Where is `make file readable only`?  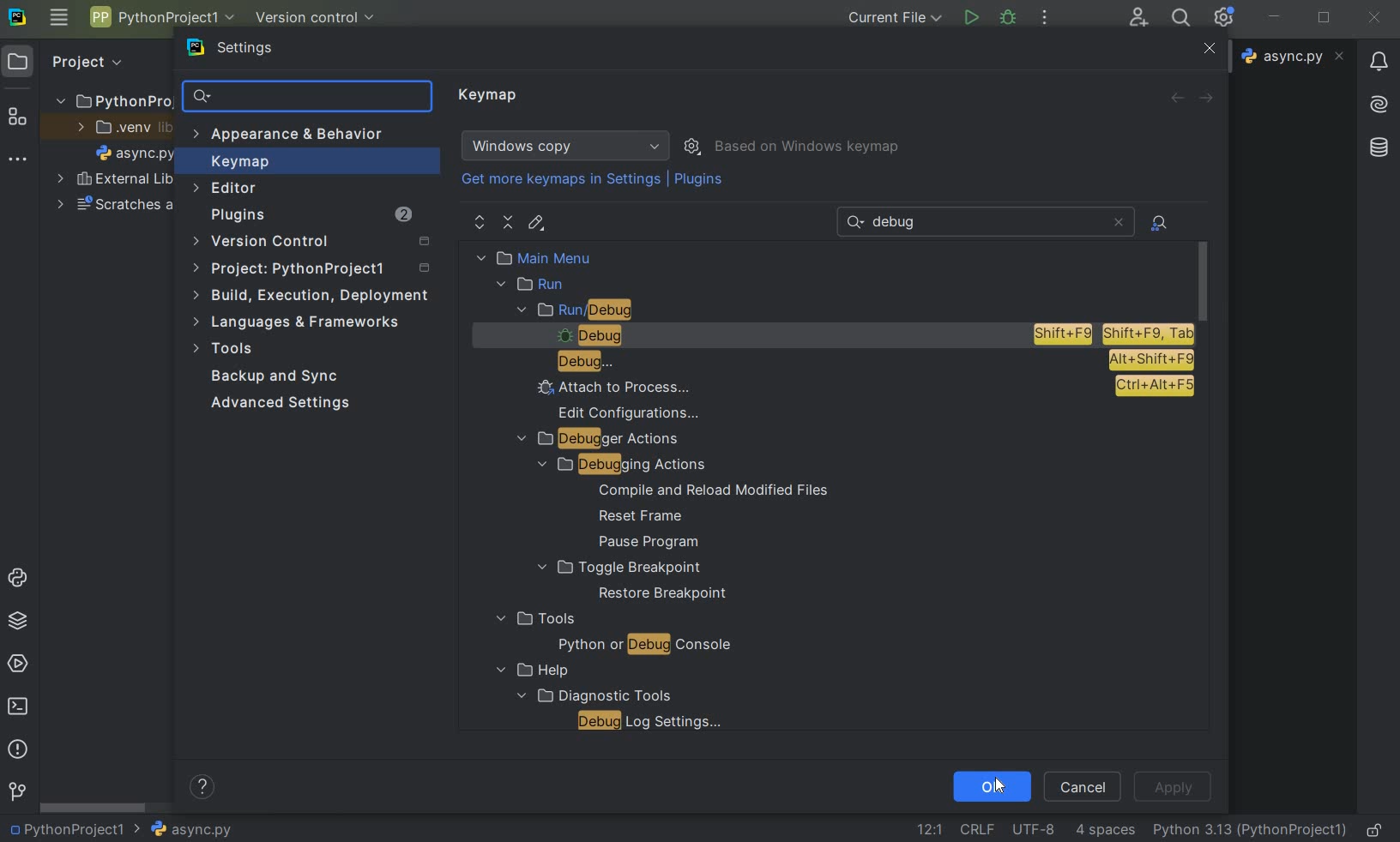
make file readable only is located at coordinates (1376, 828).